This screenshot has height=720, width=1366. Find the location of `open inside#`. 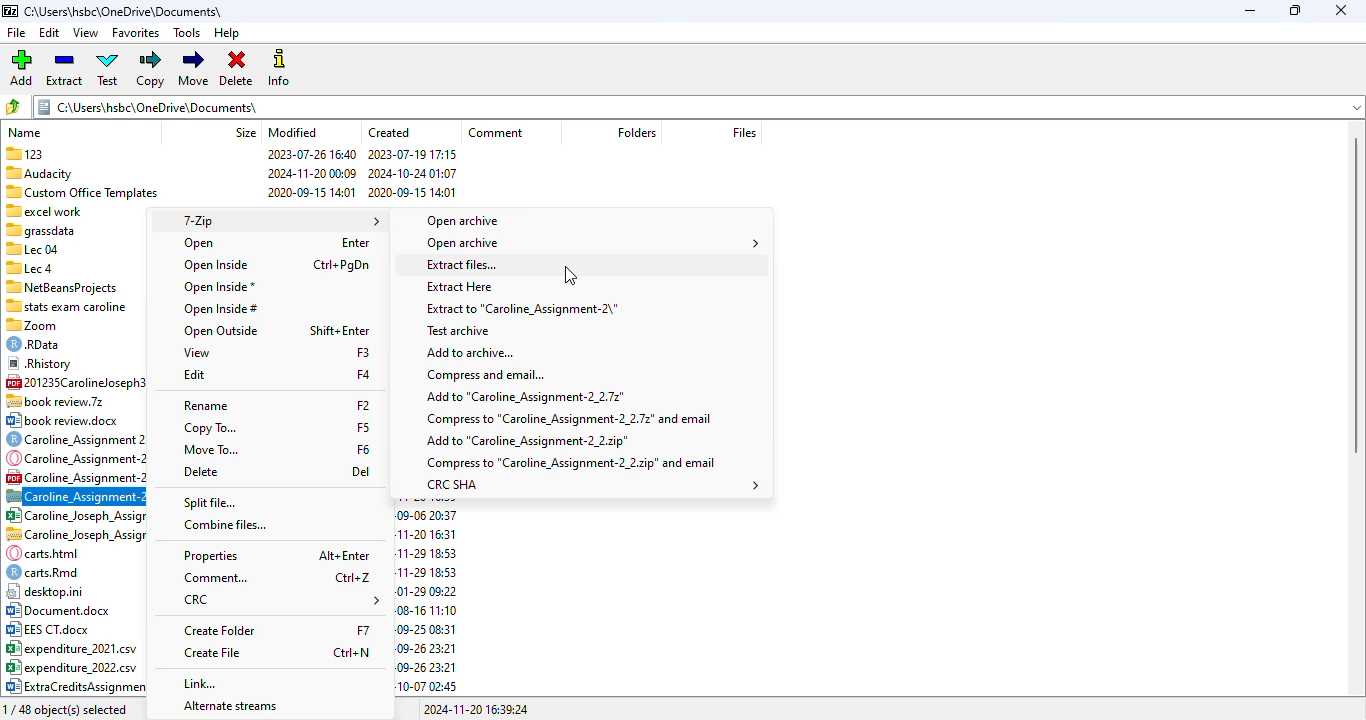

open inside# is located at coordinates (219, 309).